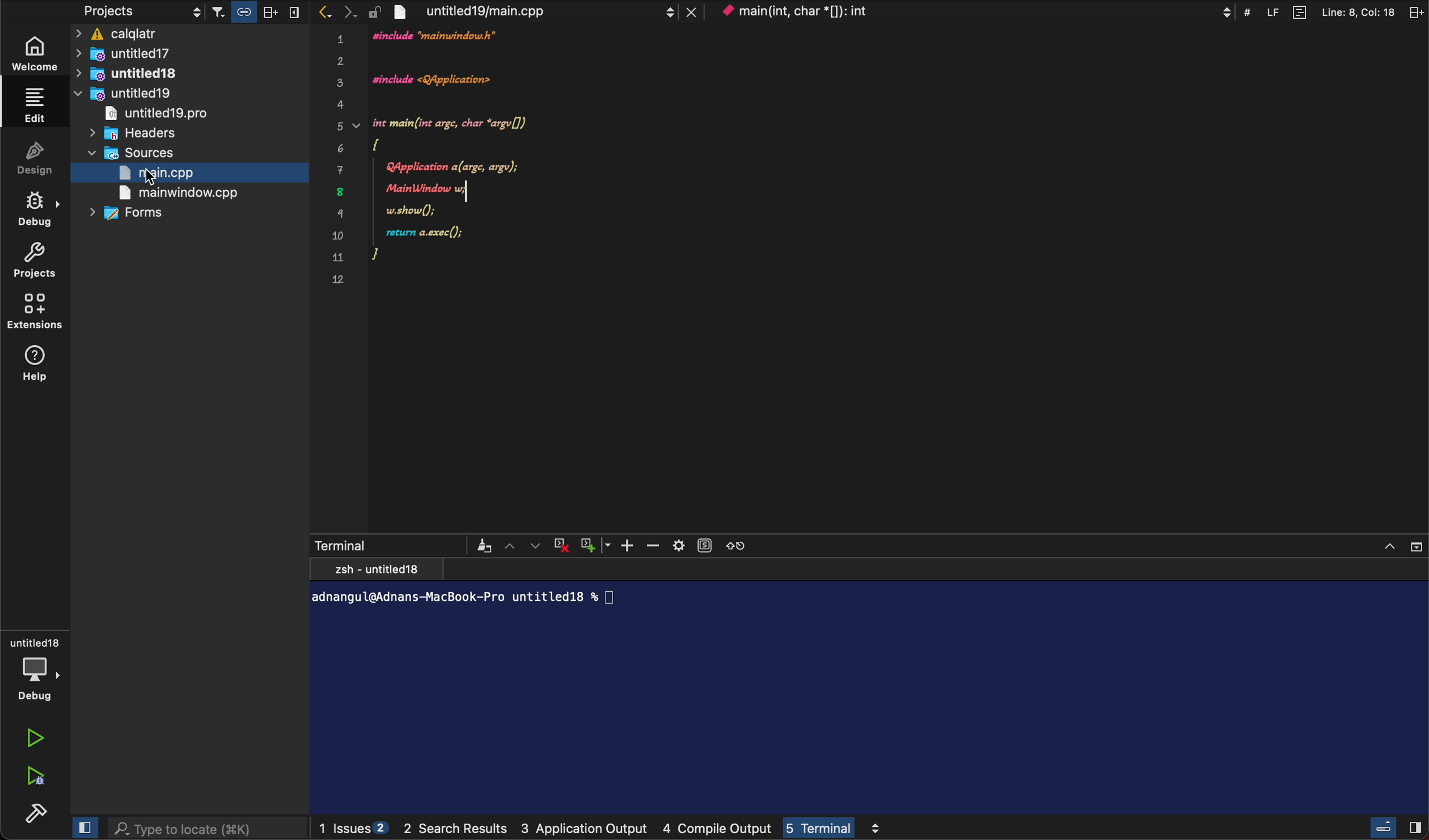  I want to click on Terminal , so click(341, 544).